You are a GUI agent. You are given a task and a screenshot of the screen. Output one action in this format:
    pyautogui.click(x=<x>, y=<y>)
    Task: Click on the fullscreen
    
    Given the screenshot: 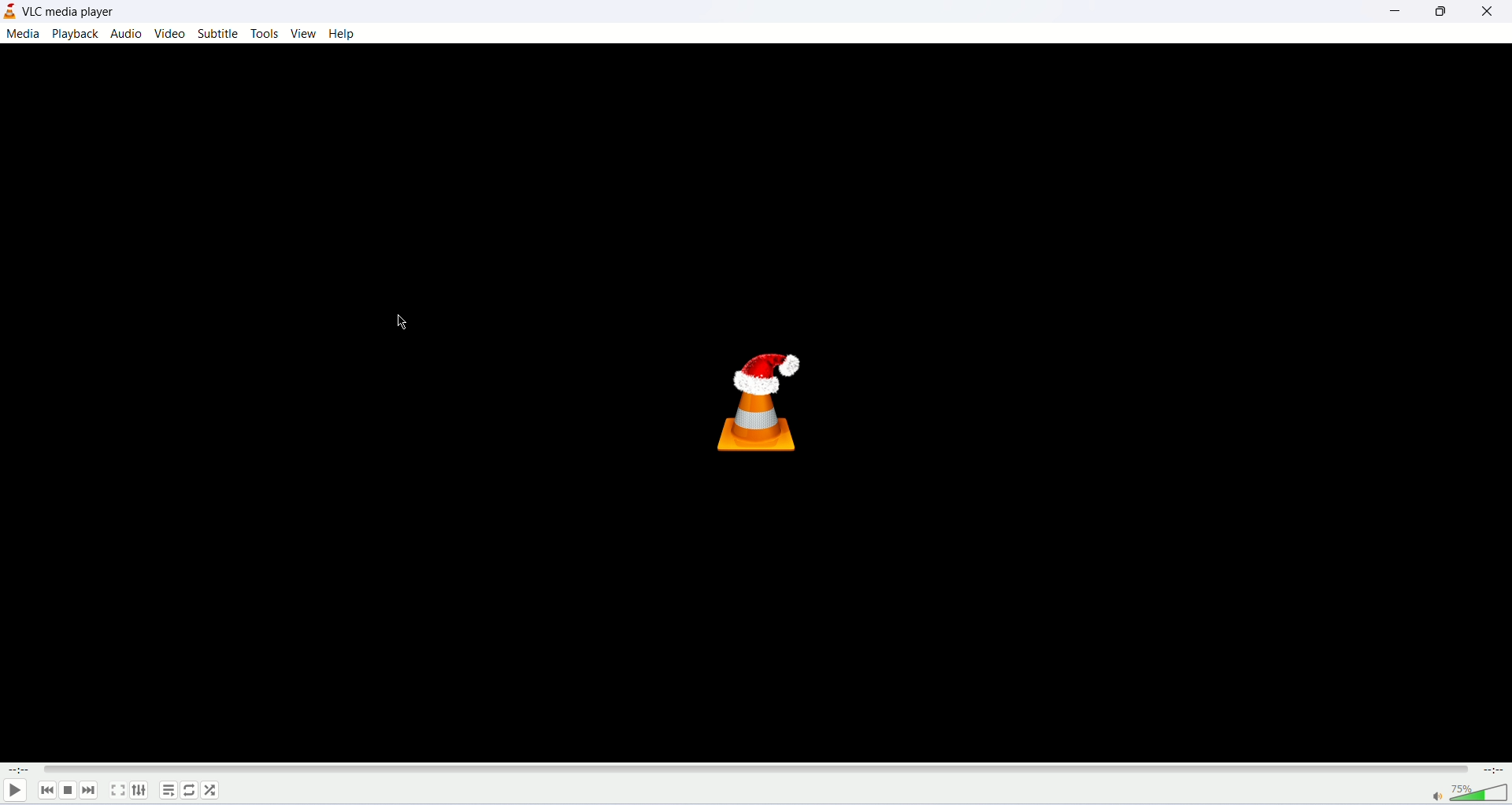 What is the action you would take?
    pyautogui.click(x=117, y=789)
    